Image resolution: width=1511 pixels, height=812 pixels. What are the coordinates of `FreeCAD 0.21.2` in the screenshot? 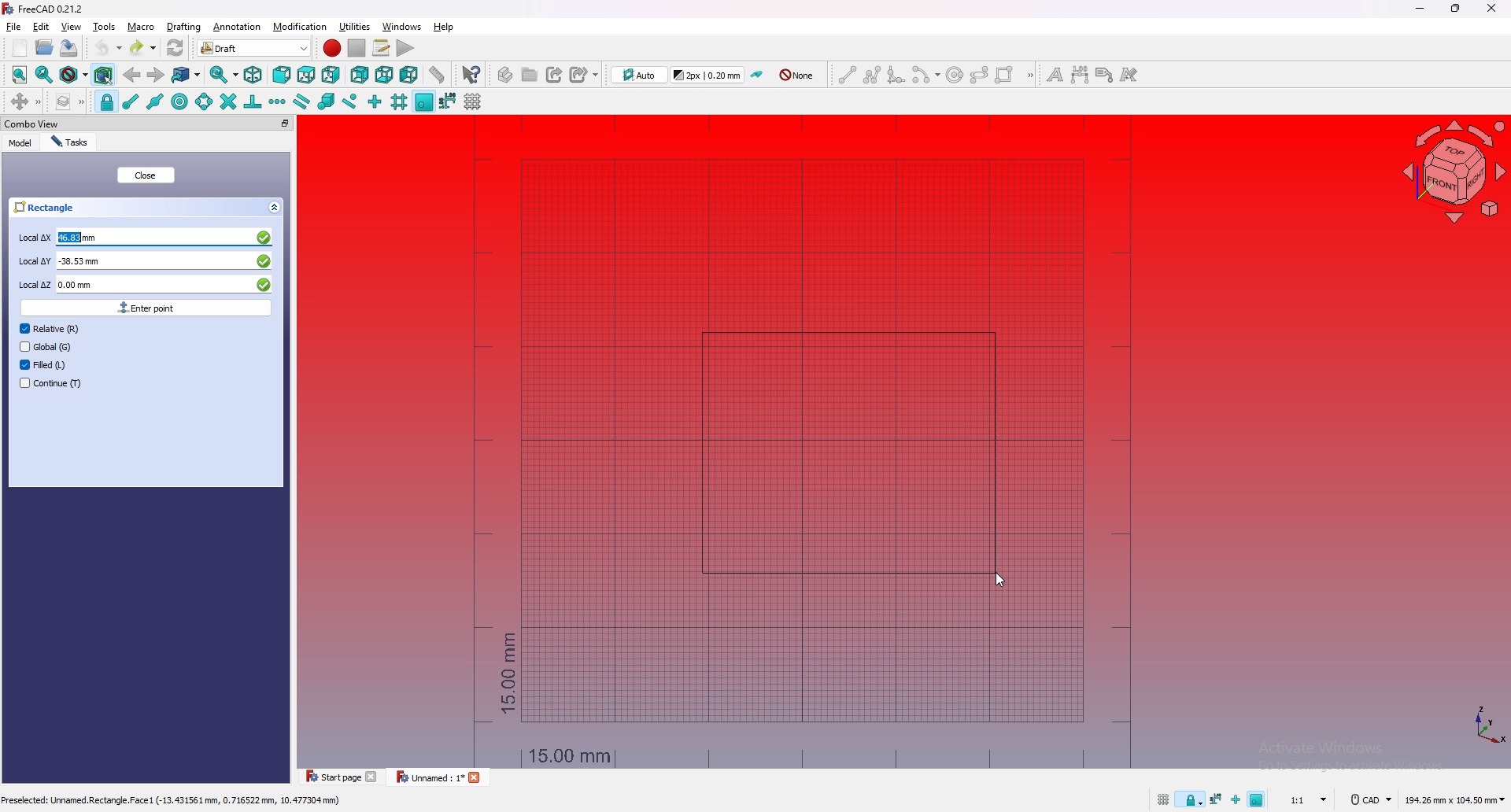 It's located at (43, 9).